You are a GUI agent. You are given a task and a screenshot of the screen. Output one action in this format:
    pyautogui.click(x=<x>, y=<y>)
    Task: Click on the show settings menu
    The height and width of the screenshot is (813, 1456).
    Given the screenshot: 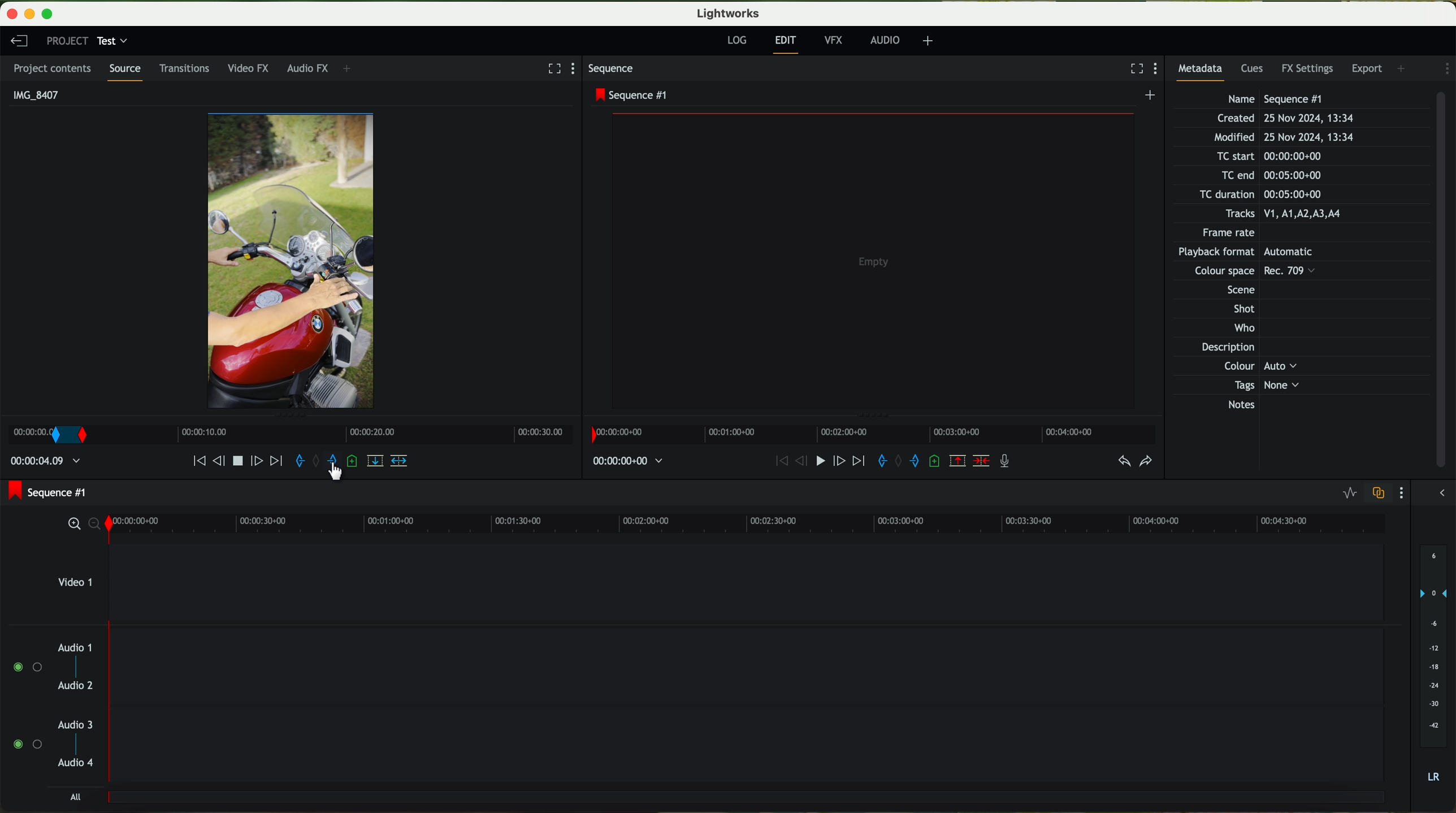 What is the action you would take?
    pyautogui.click(x=578, y=69)
    